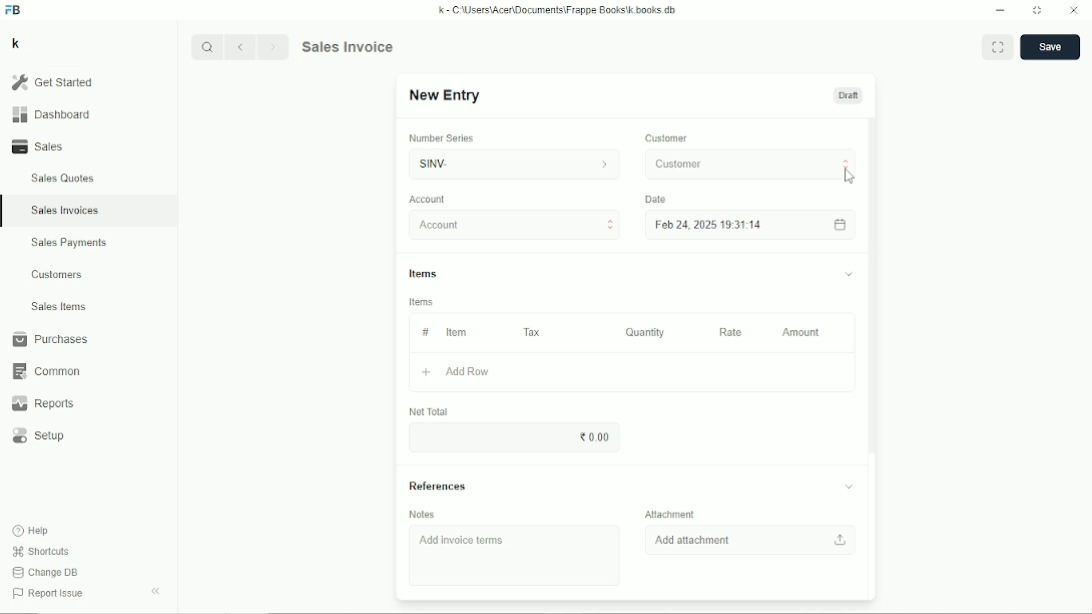  Describe the element at coordinates (41, 436) in the screenshot. I see `Setup` at that location.